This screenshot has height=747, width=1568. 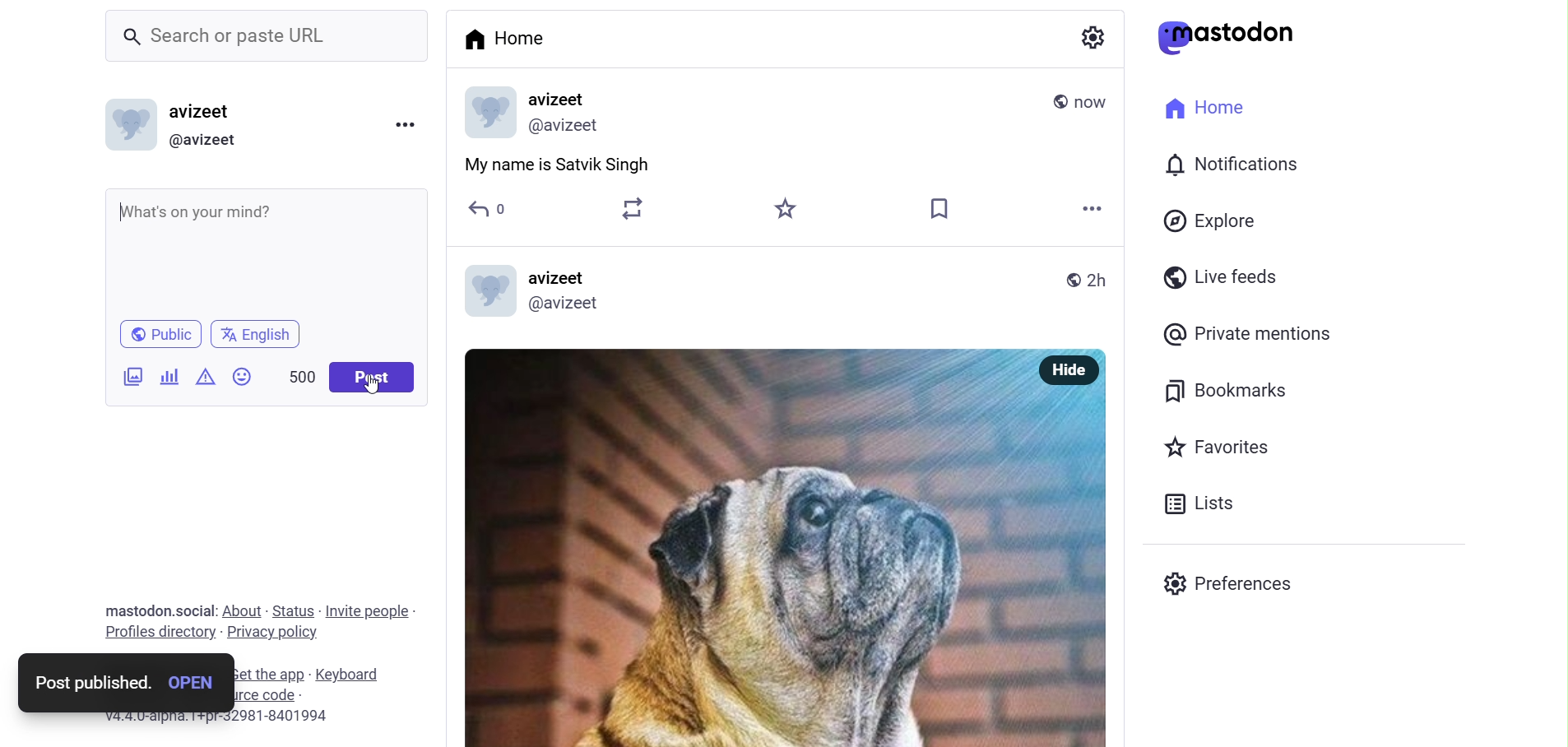 What do you see at coordinates (257, 333) in the screenshot?
I see ` English` at bounding box center [257, 333].